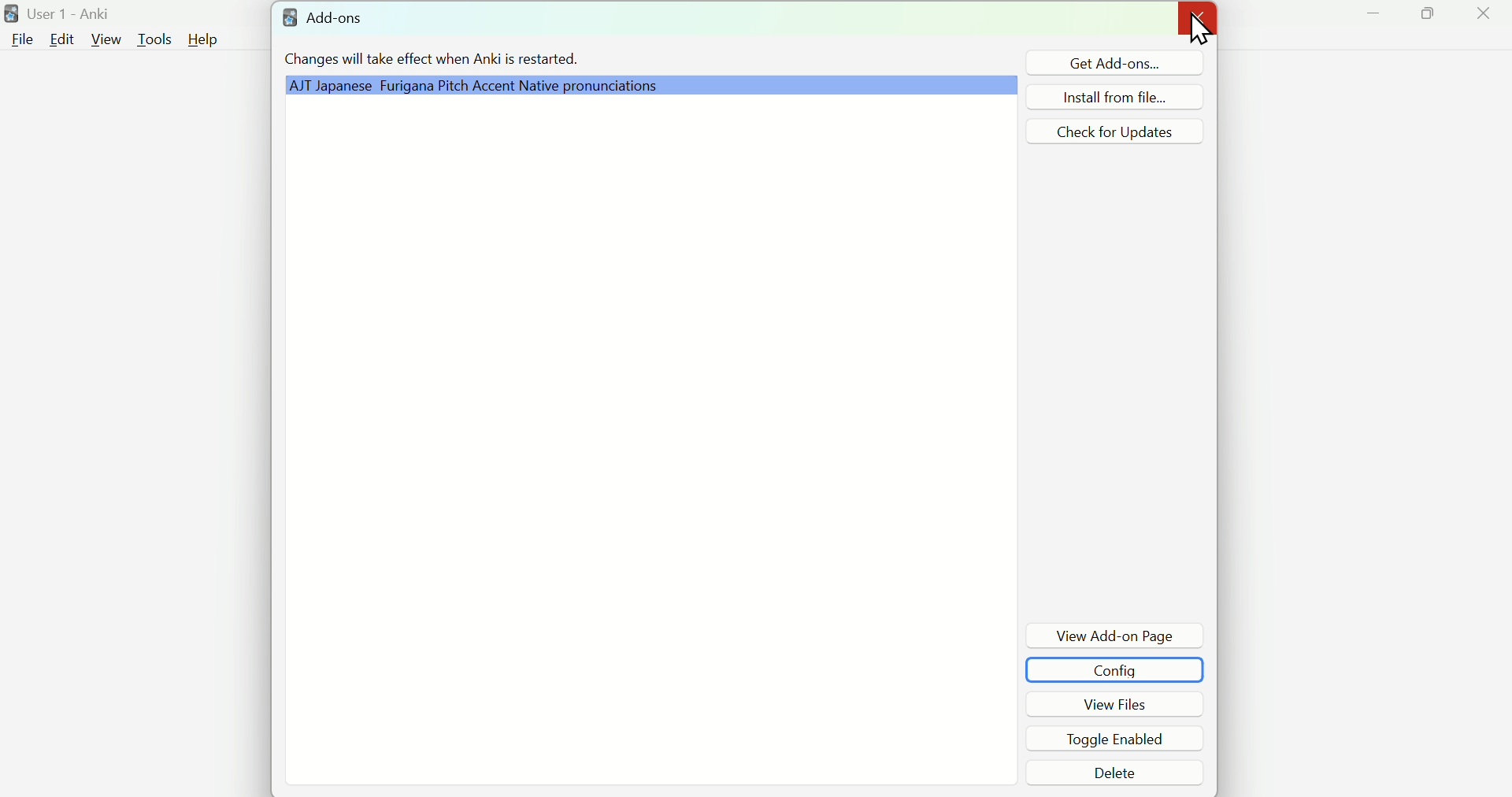 This screenshot has width=1512, height=797. I want to click on Close, so click(1199, 16).